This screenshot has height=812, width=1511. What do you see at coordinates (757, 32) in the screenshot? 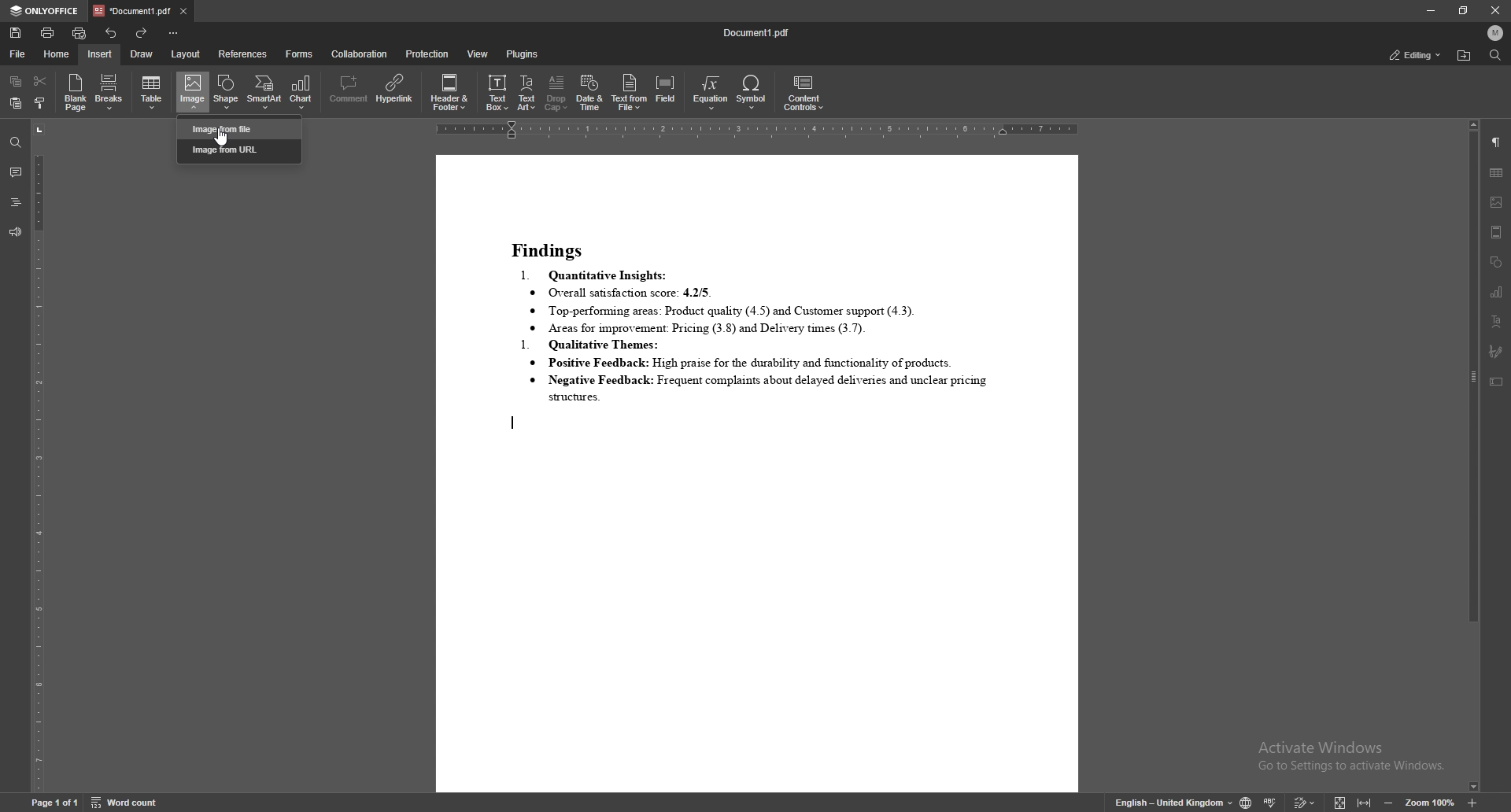
I see `file name` at bounding box center [757, 32].